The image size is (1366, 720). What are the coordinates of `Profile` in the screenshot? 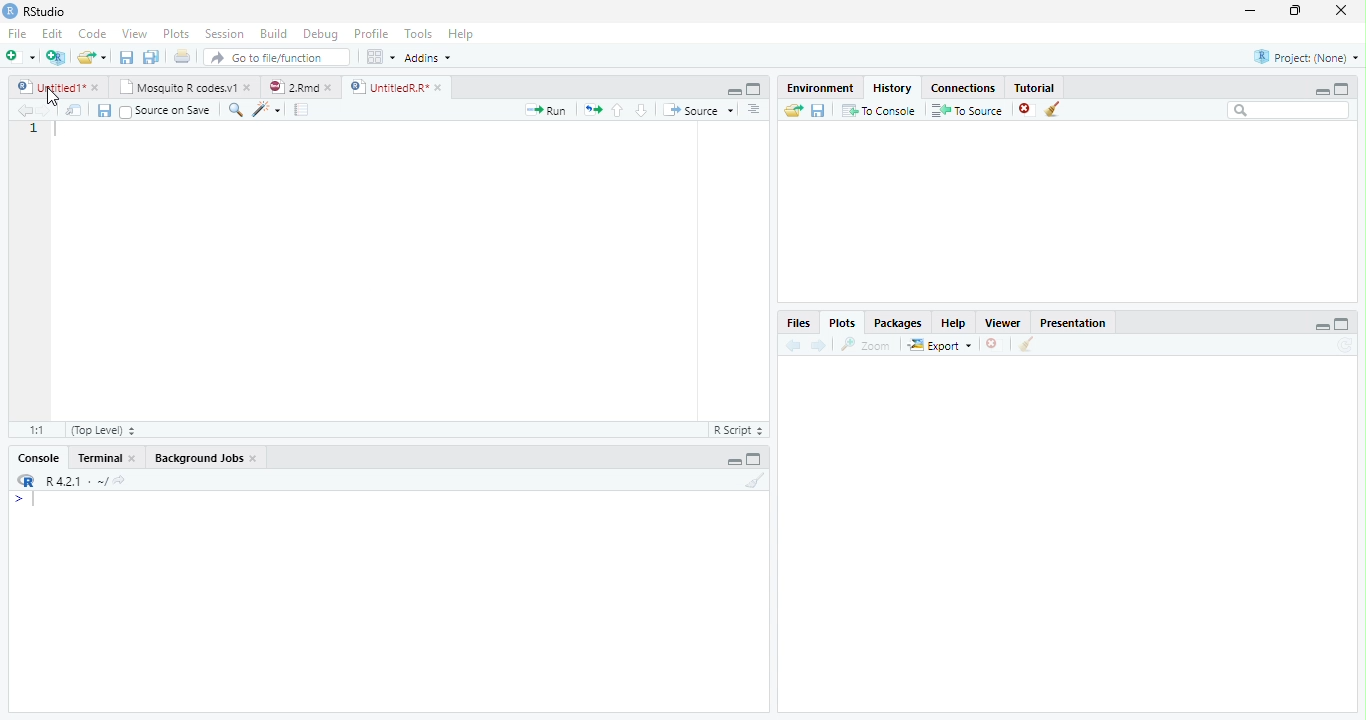 It's located at (372, 34).